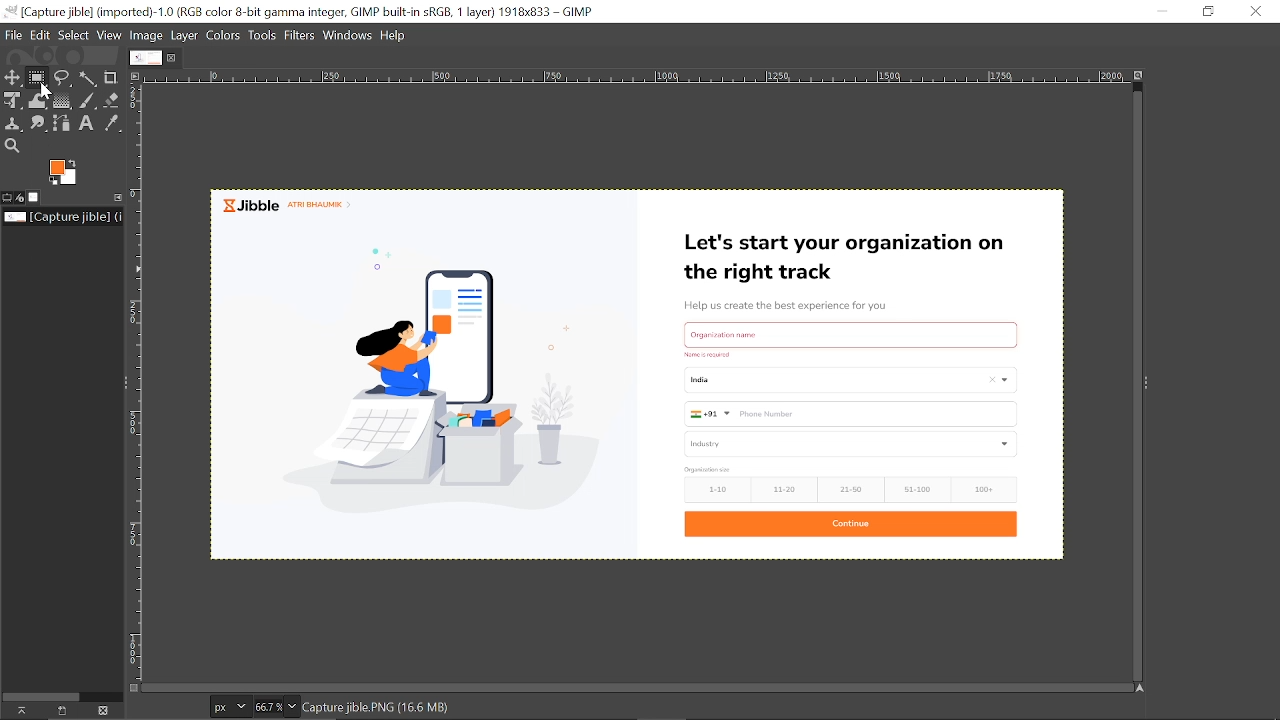  What do you see at coordinates (396, 34) in the screenshot?
I see `help` at bounding box center [396, 34].